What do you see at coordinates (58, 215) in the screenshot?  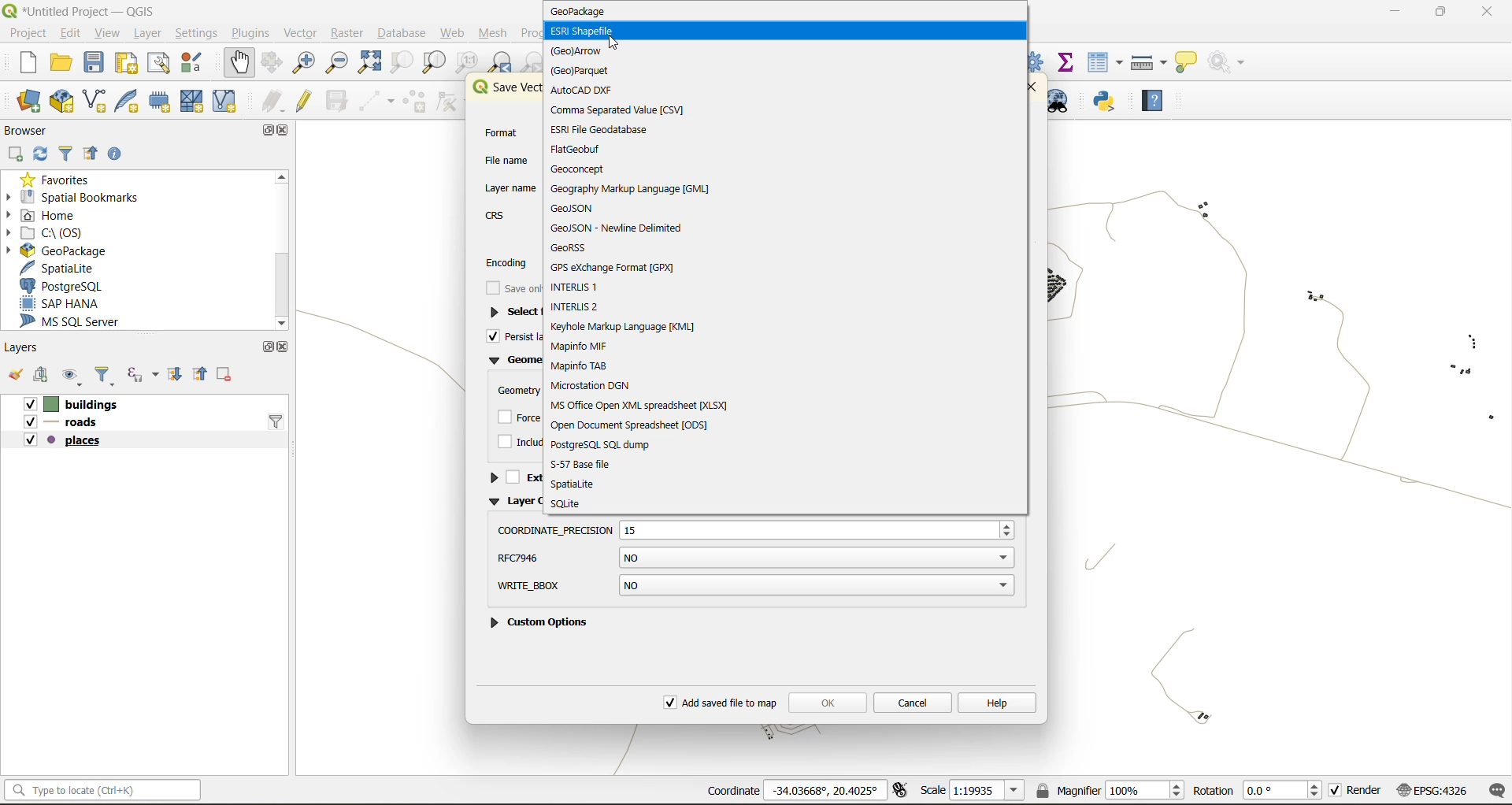 I see `home` at bounding box center [58, 215].